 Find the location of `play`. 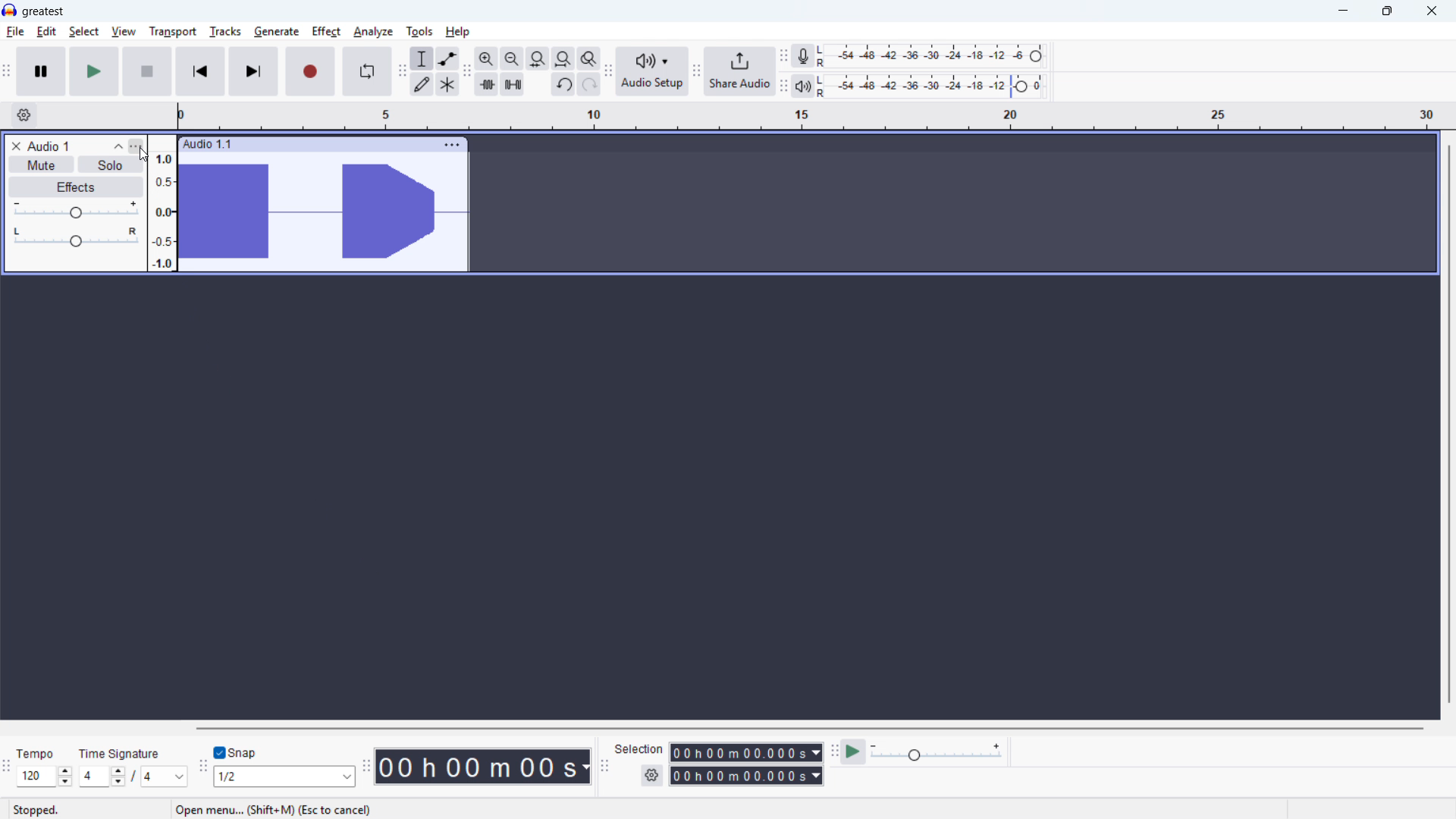

play is located at coordinates (94, 71).